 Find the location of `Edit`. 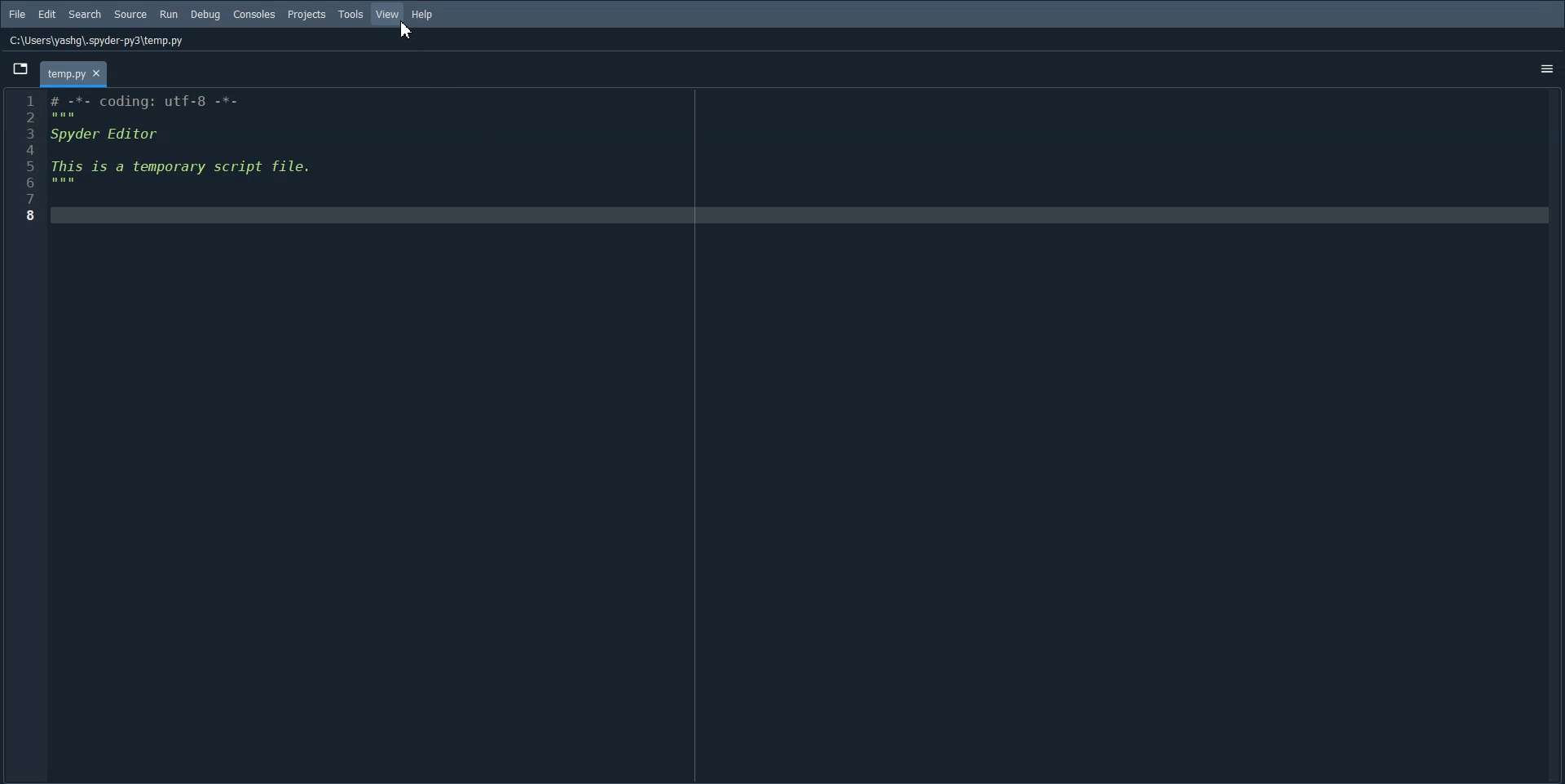

Edit is located at coordinates (47, 14).